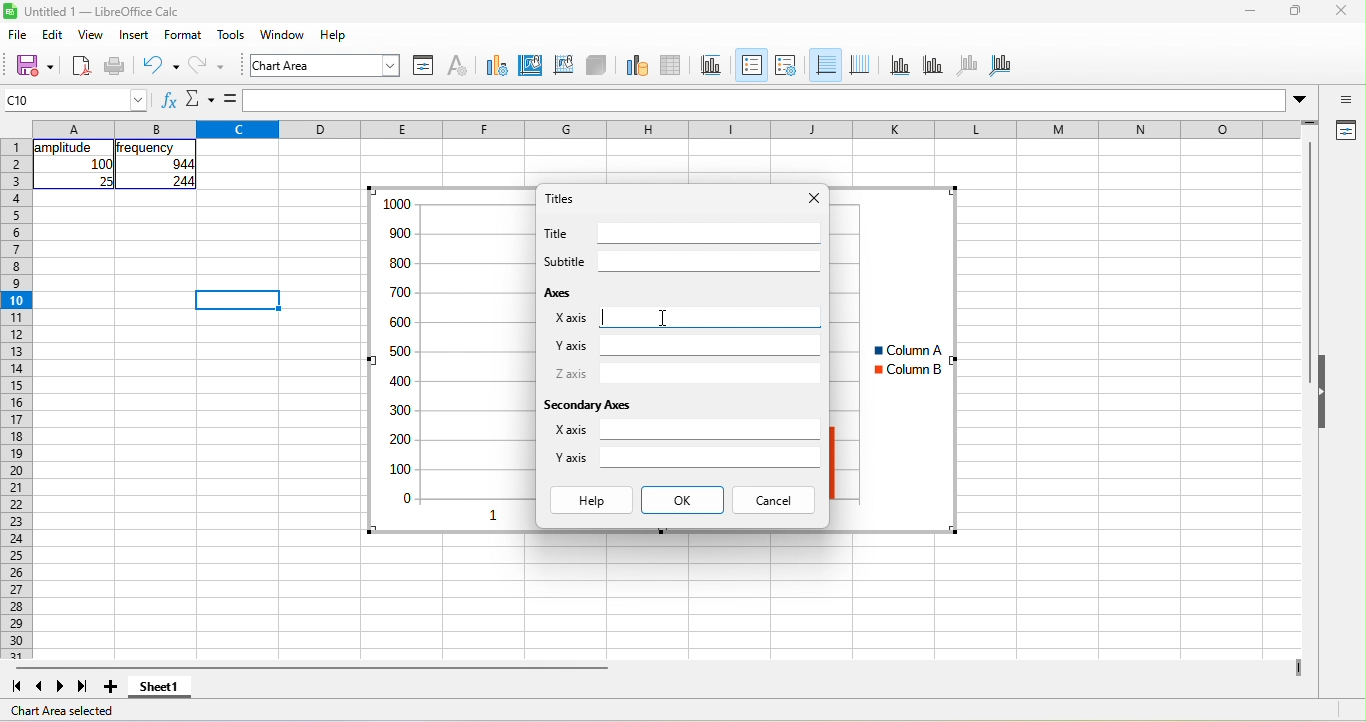 The width and height of the screenshot is (1366, 722). I want to click on data table, so click(672, 66).